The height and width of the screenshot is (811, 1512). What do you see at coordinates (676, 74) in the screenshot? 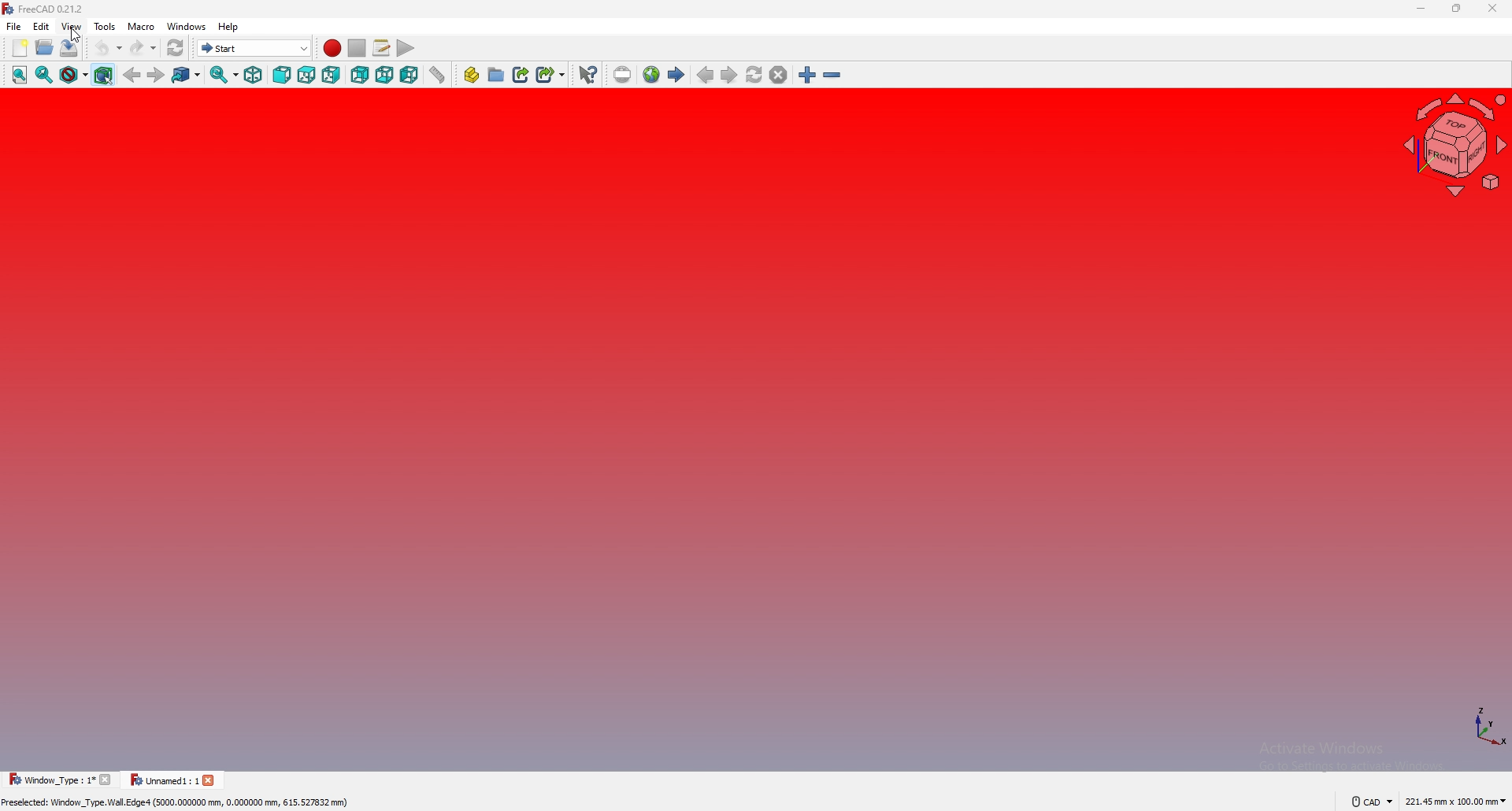
I see `start page` at bounding box center [676, 74].